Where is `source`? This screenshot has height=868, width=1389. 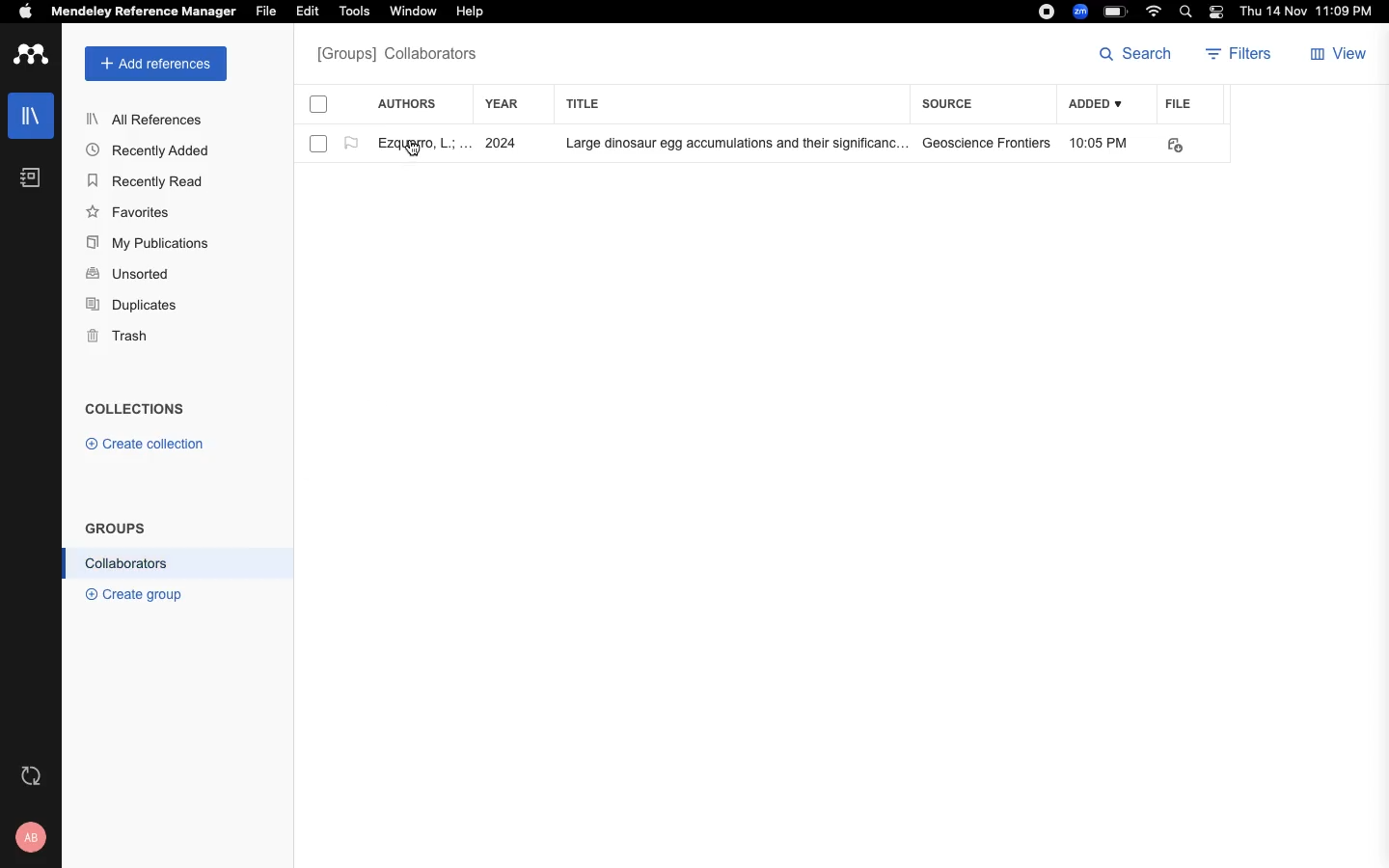
source is located at coordinates (989, 143).